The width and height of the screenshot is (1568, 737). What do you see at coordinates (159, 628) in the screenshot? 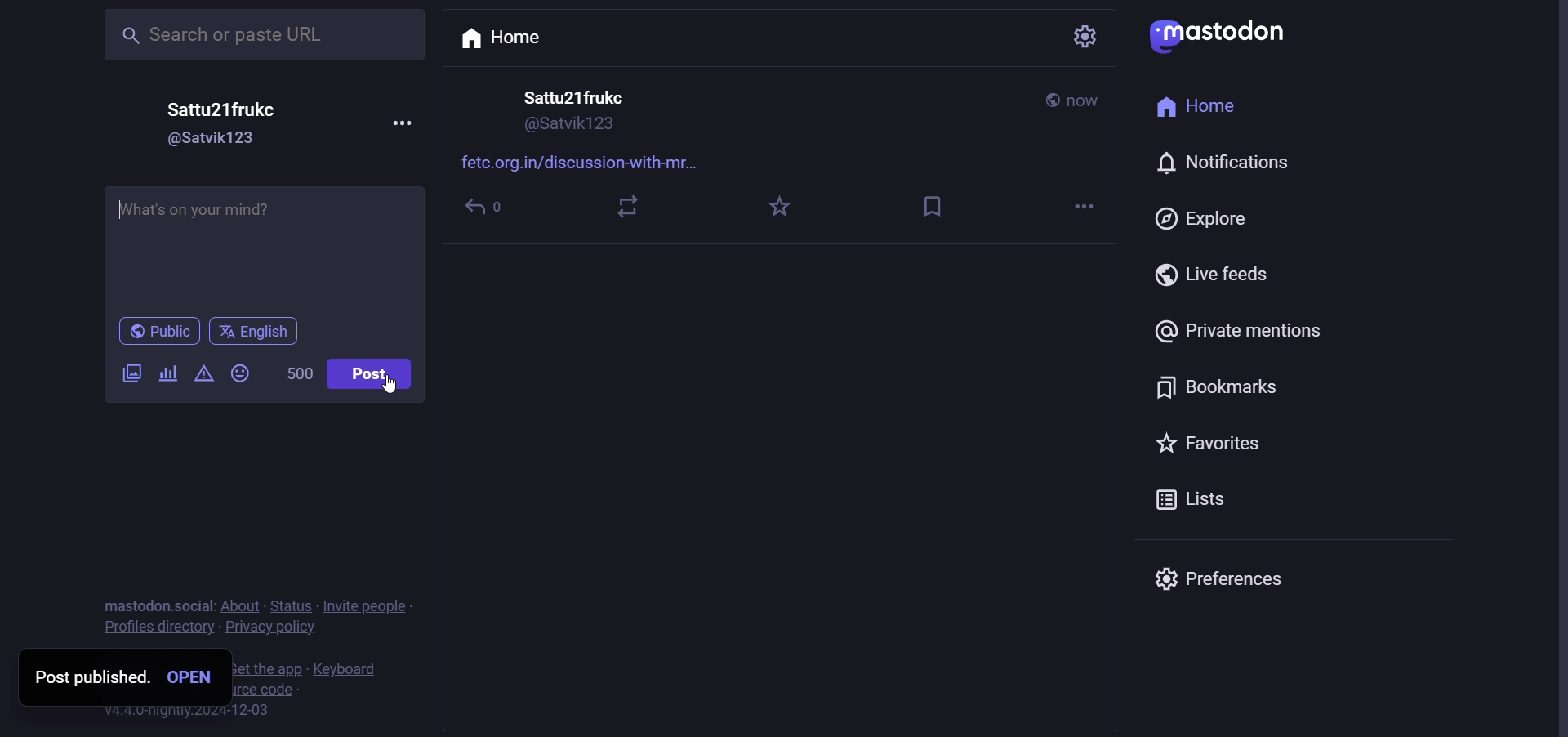
I see `profiles` at bounding box center [159, 628].